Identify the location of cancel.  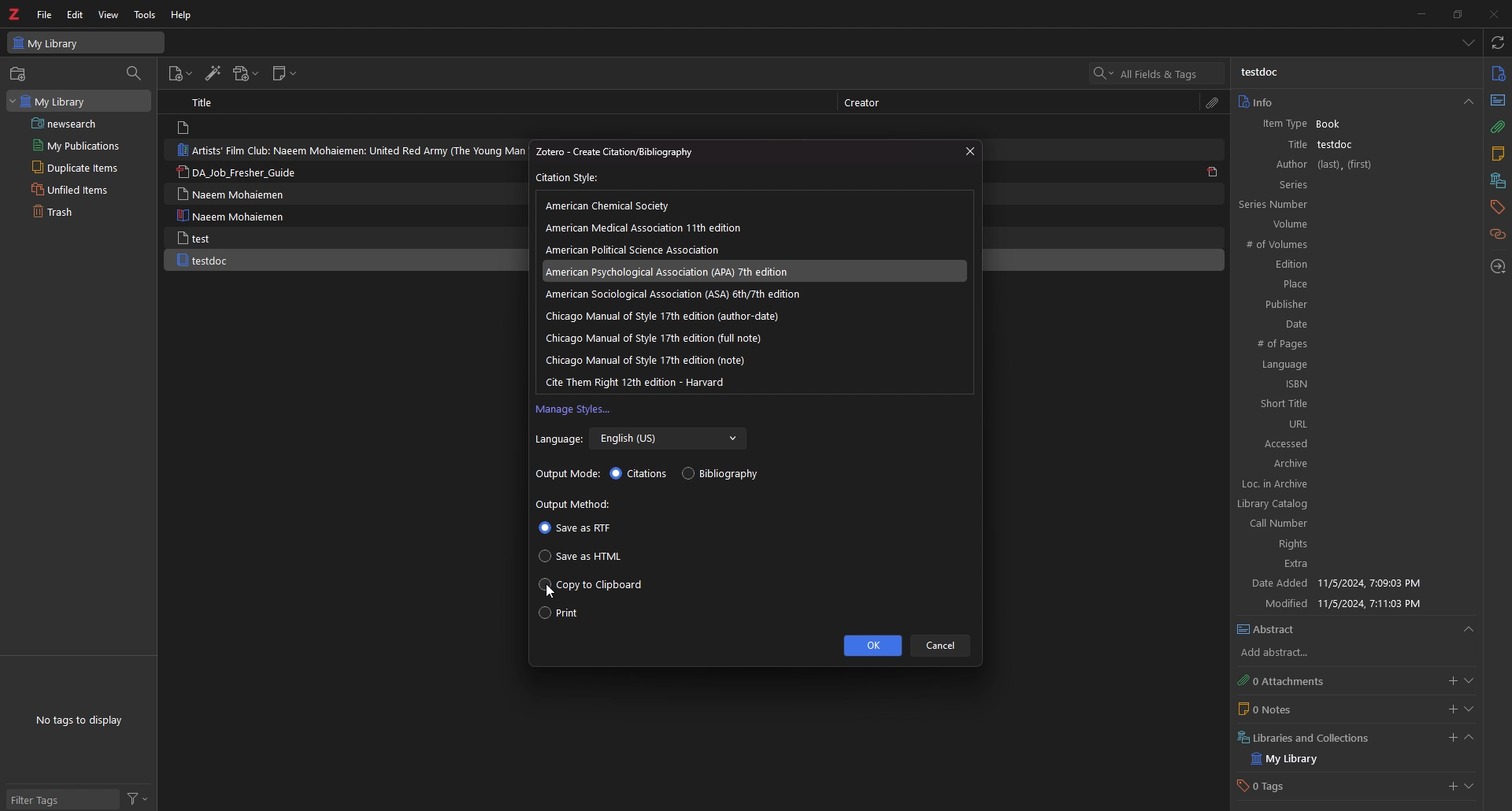
(942, 646).